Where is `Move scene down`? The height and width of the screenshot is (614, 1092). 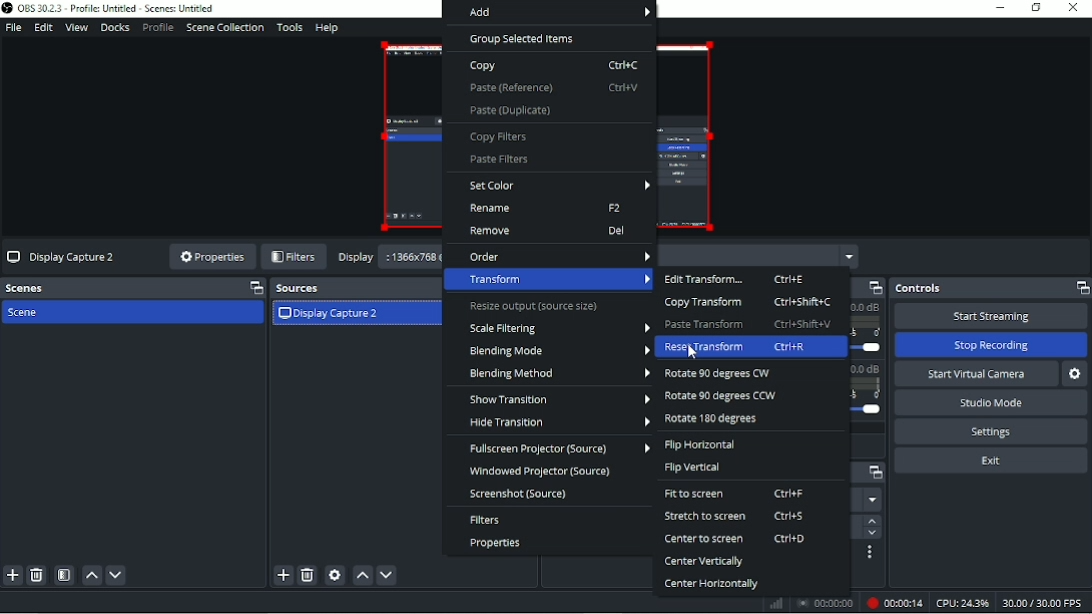
Move scene down is located at coordinates (116, 576).